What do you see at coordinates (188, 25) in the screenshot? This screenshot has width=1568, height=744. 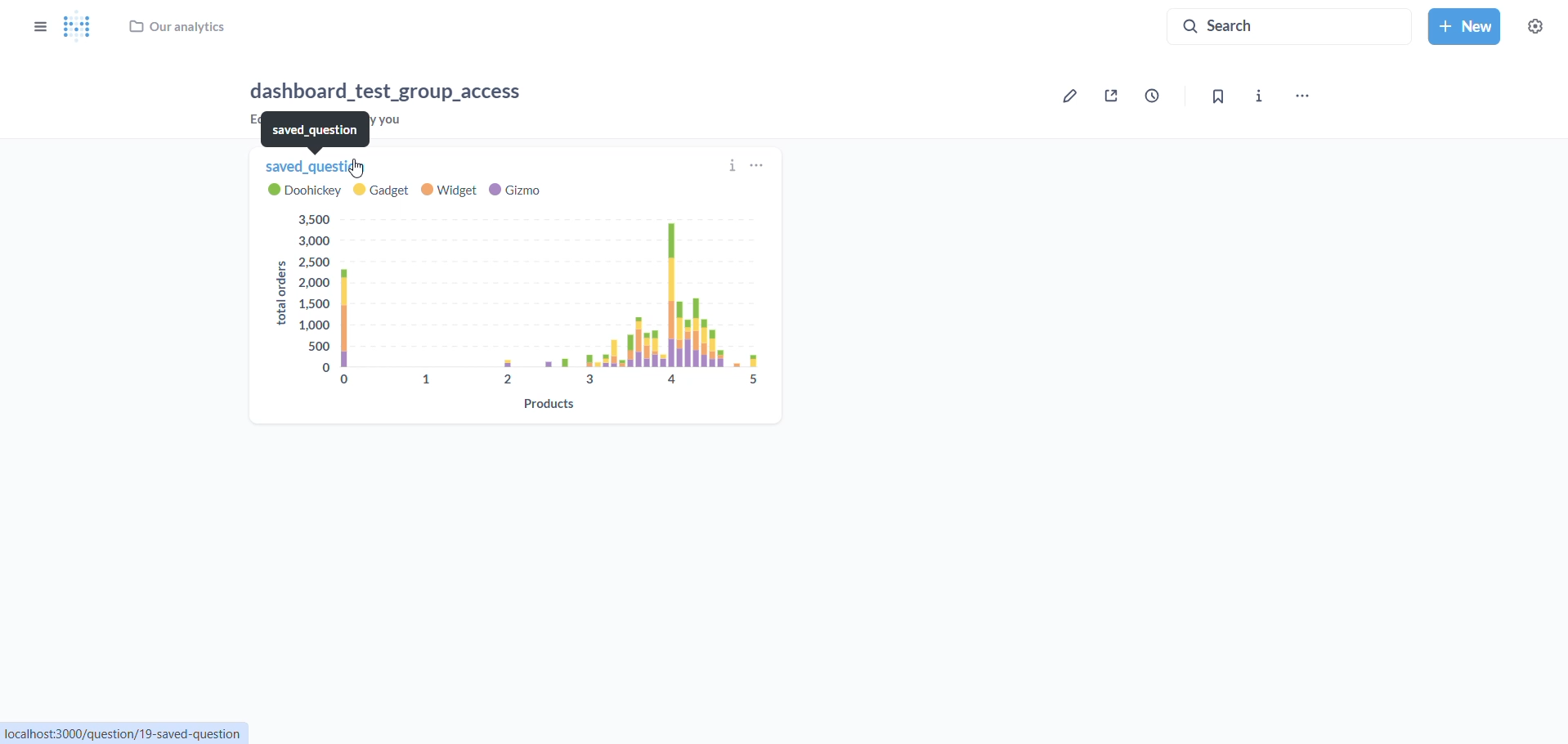 I see `our analytics` at bounding box center [188, 25].